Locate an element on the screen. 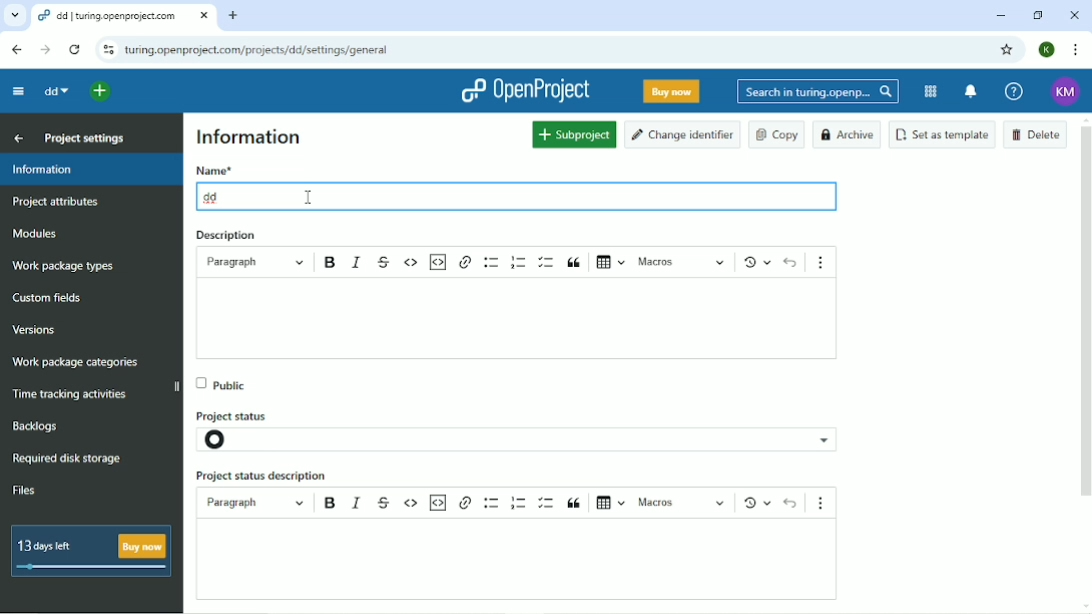 The height and width of the screenshot is (614, 1092). bold is located at coordinates (328, 502).